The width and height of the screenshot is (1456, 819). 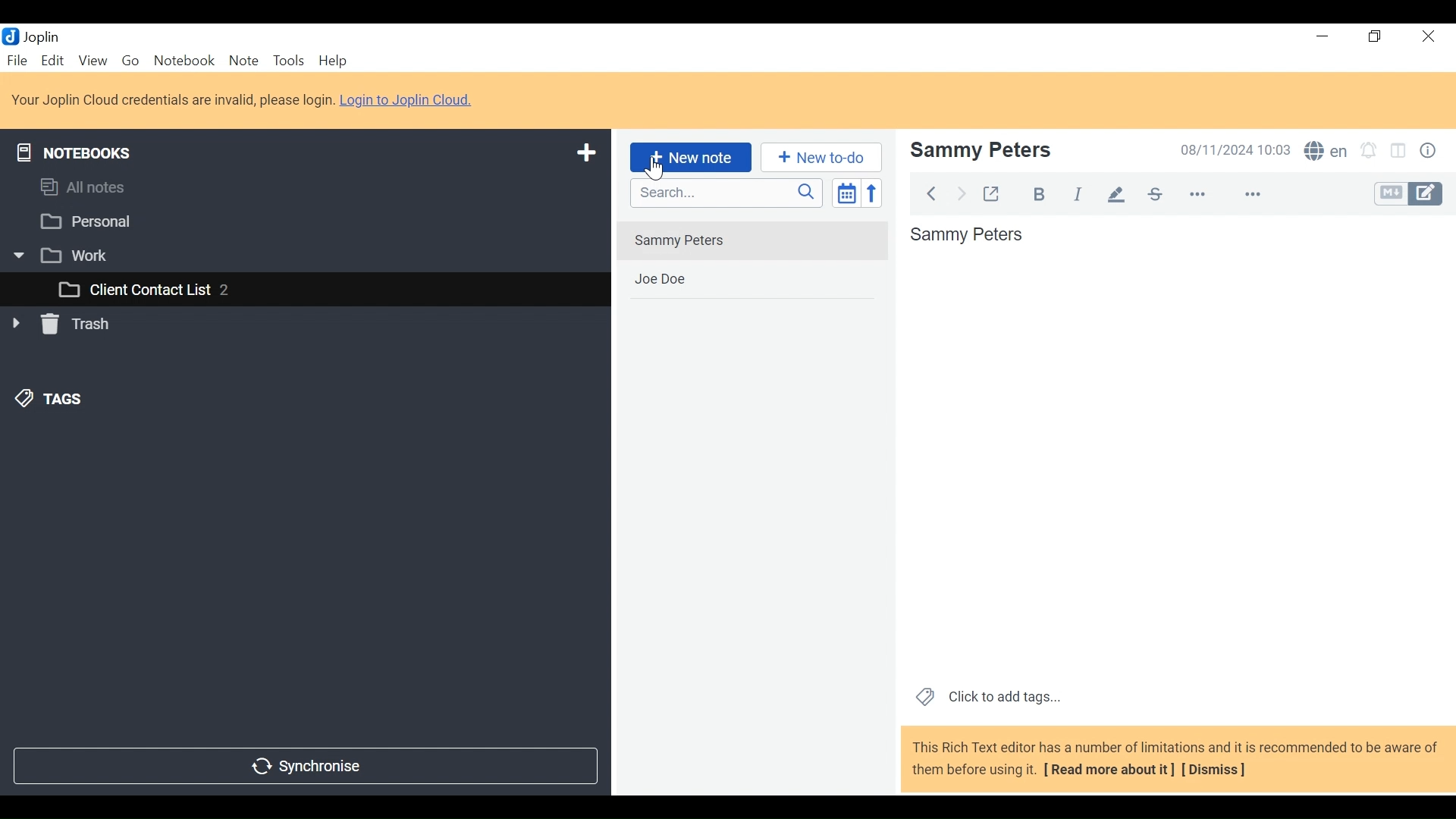 I want to click on Bold, so click(x=1040, y=194).